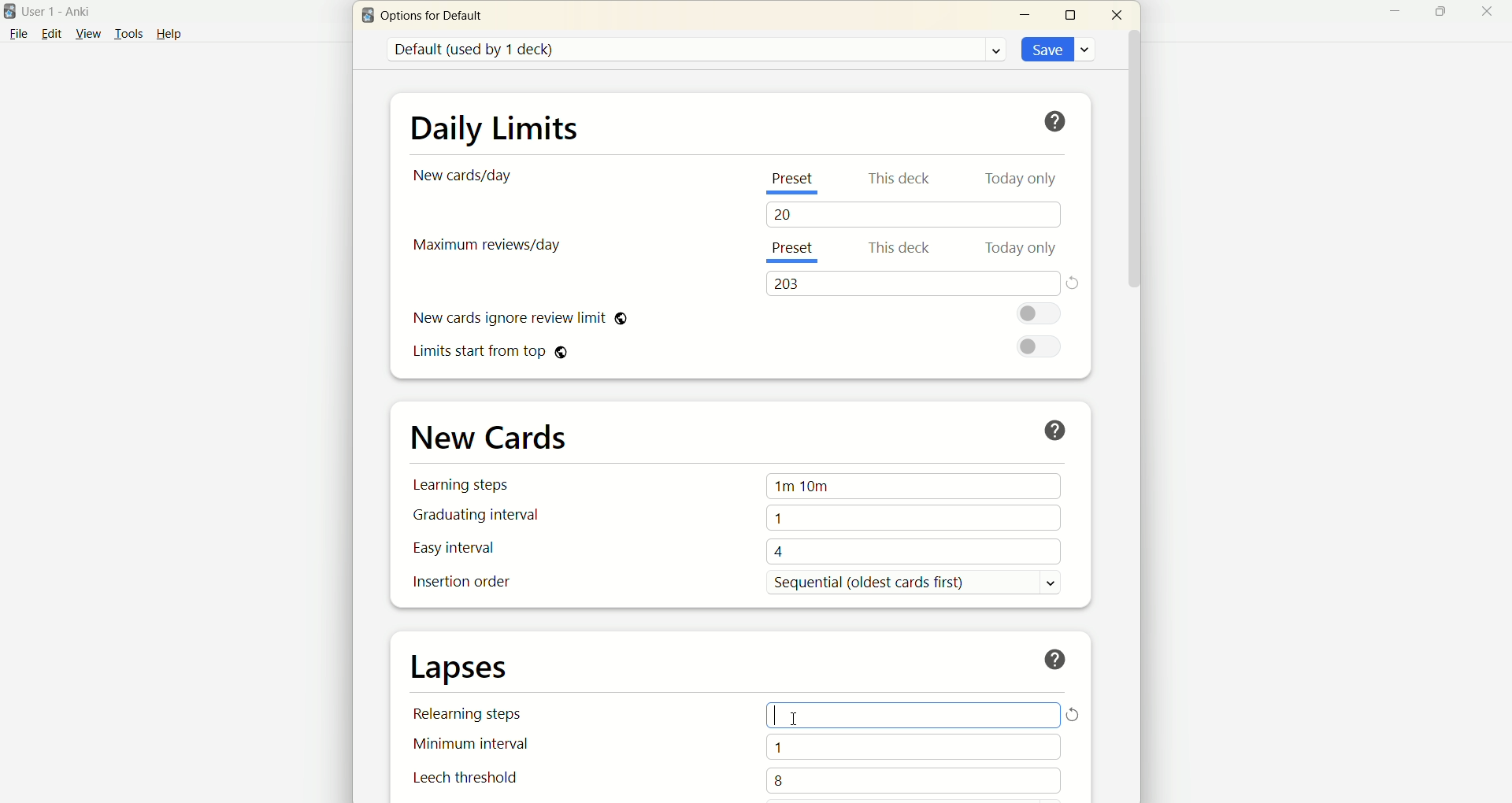 The width and height of the screenshot is (1512, 803). Describe the element at coordinates (50, 33) in the screenshot. I see `edit` at that location.